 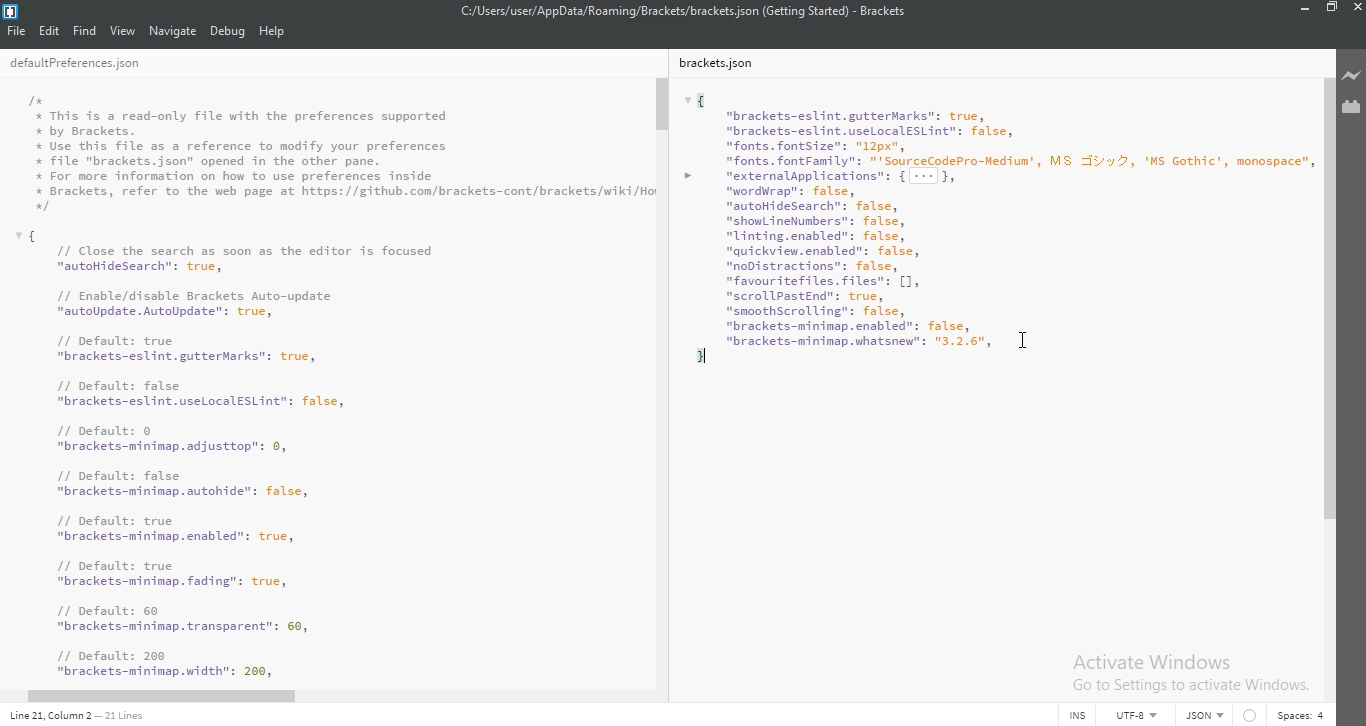 What do you see at coordinates (687, 10) in the screenshot?
I see `C:/Users/user/AppData/Roaming/Brackets/brackets.json (Getting Started) - Brackets` at bounding box center [687, 10].